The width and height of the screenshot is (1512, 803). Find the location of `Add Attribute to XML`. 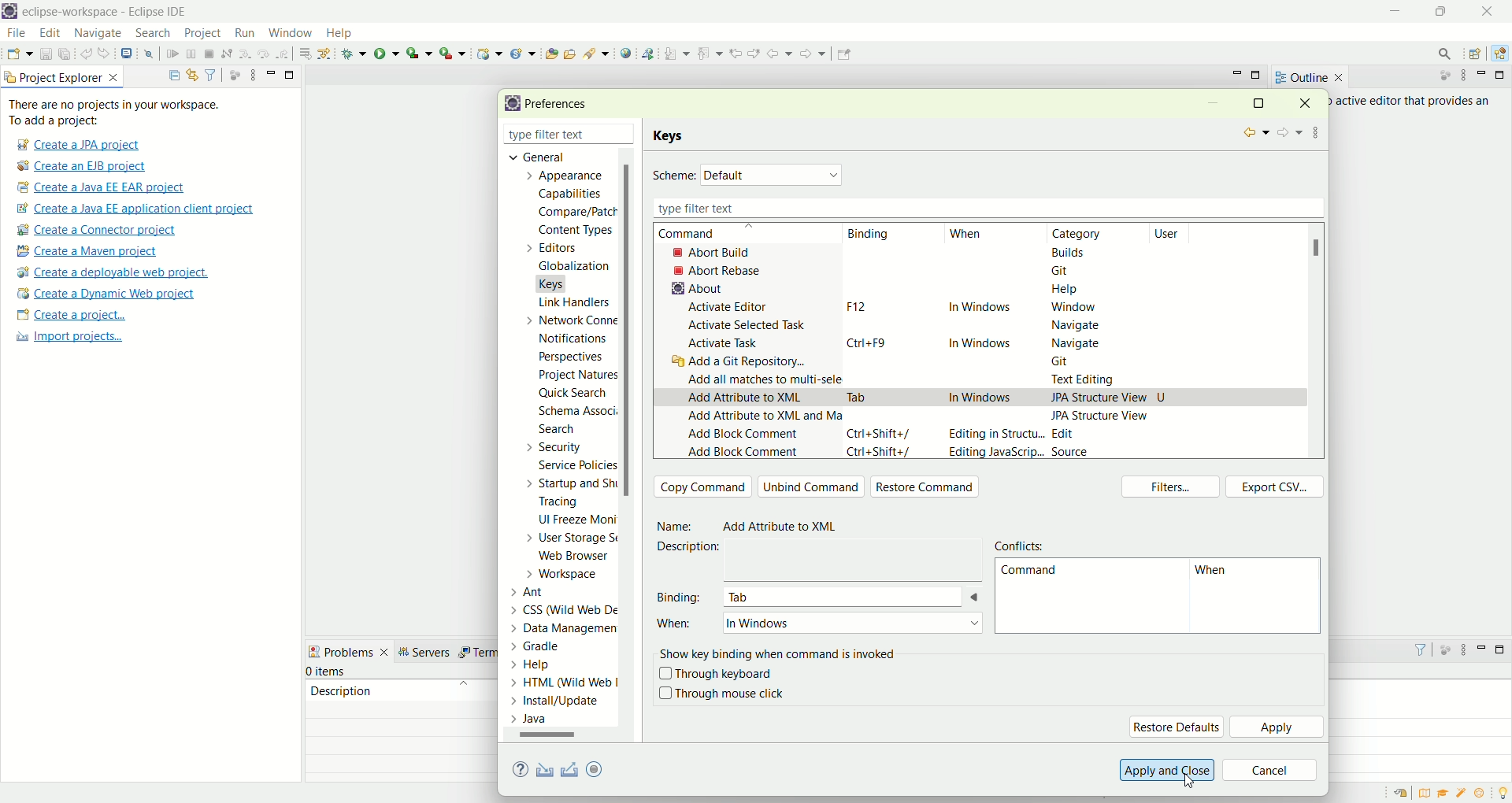

Add Attribute to XML is located at coordinates (787, 527).